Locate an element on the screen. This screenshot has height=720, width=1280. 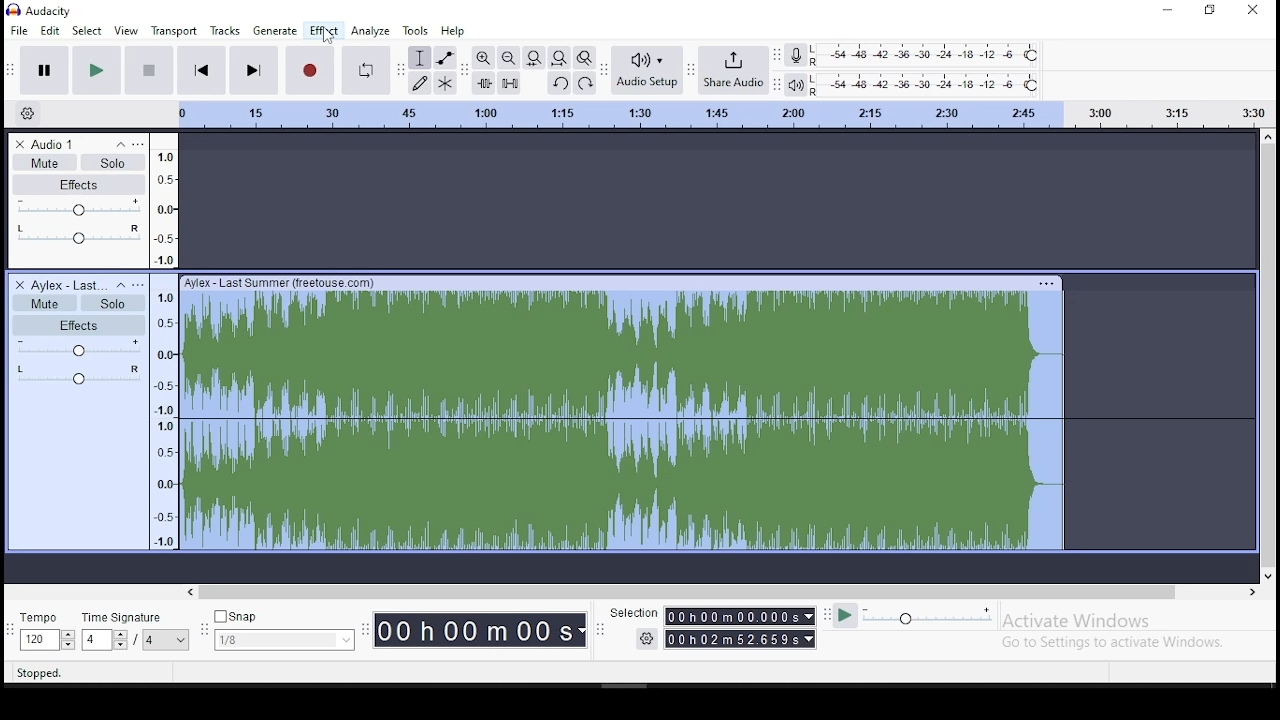
fit selection to width is located at coordinates (534, 58).